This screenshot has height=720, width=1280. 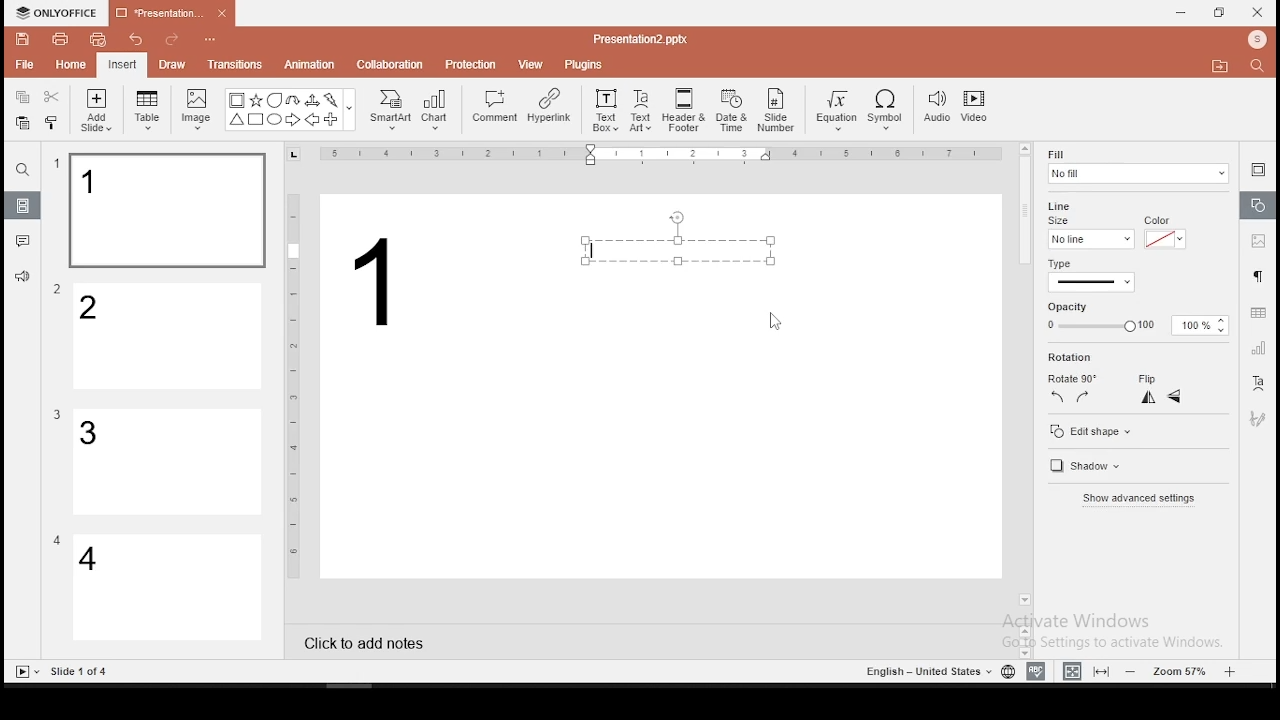 What do you see at coordinates (350, 111) in the screenshot?
I see `` at bounding box center [350, 111].